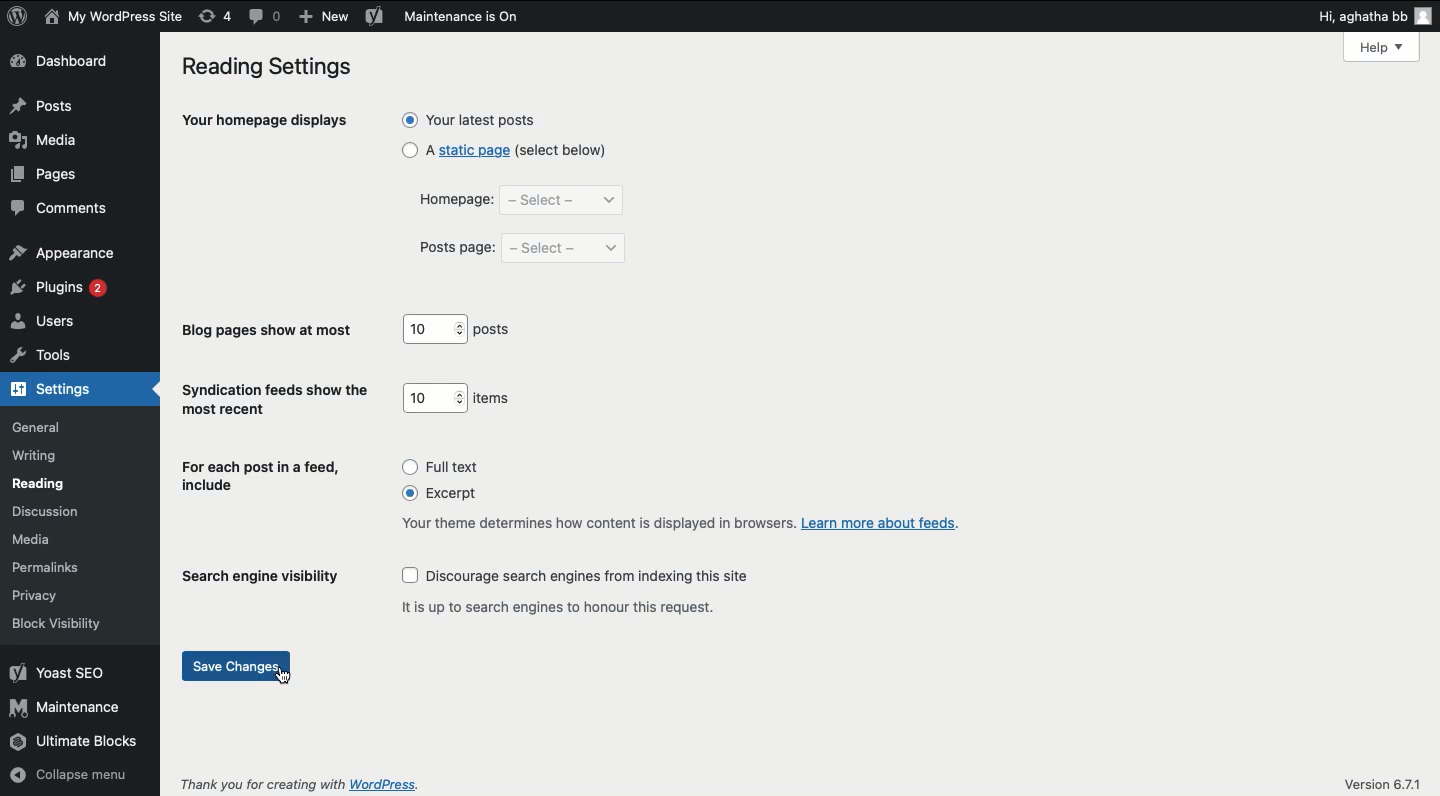 Image resolution: width=1440 pixels, height=796 pixels. What do you see at coordinates (241, 665) in the screenshot?
I see `save changes` at bounding box center [241, 665].